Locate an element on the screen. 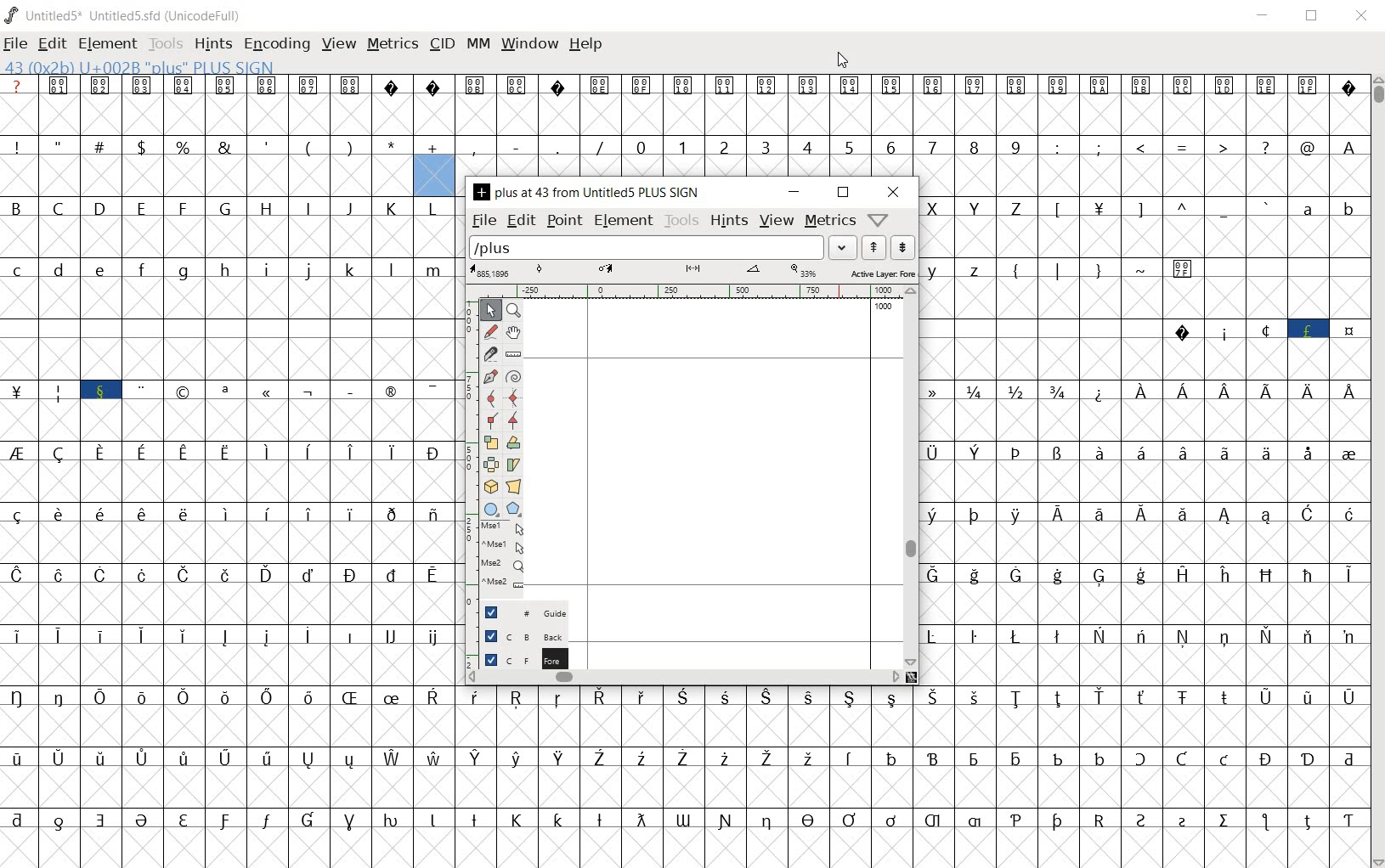  43 (0X2B) u+002b "plus" PLUS SIGN is located at coordinates (142, 67).